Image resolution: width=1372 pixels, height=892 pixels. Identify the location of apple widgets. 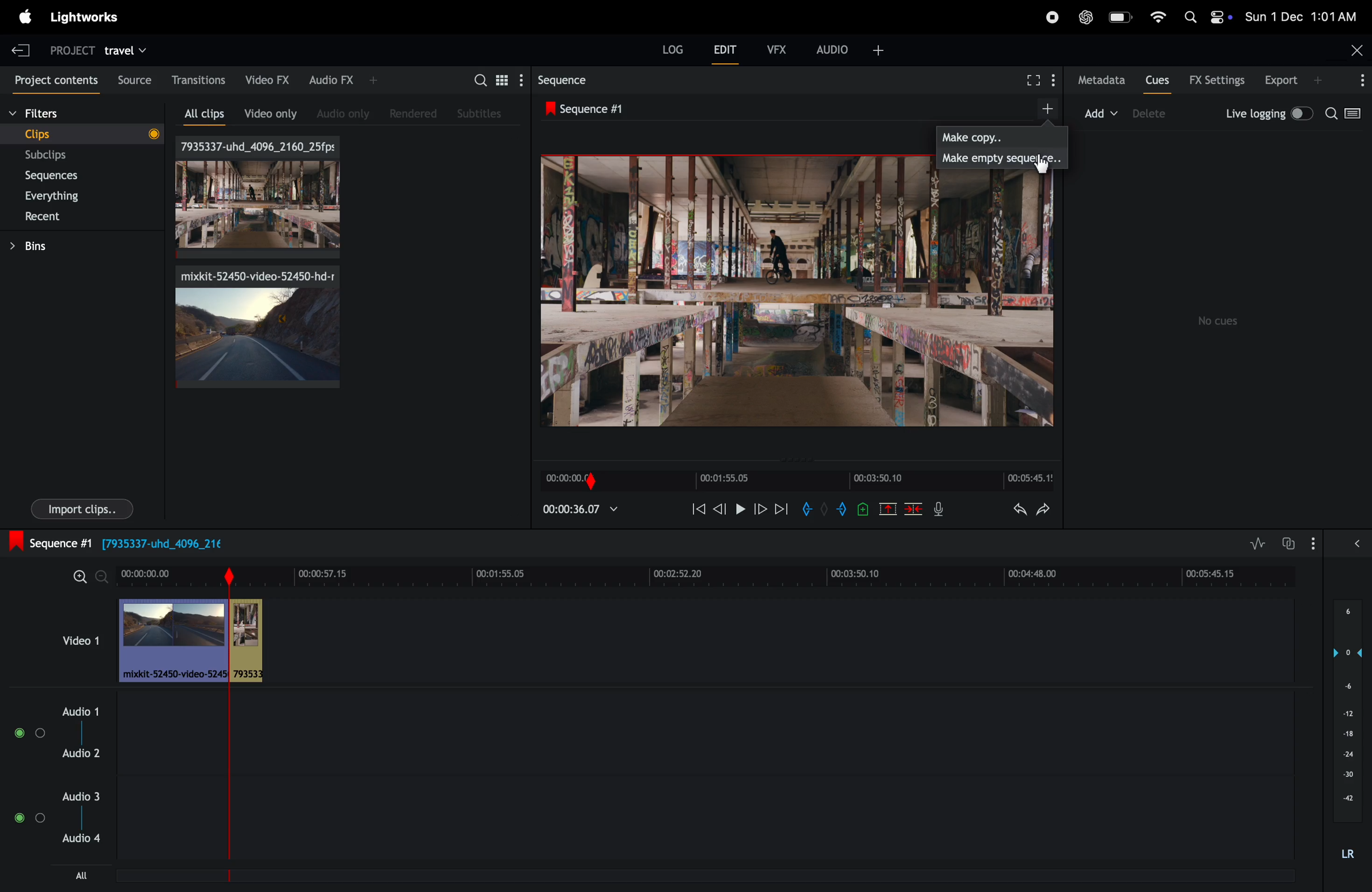
(1203, 18).